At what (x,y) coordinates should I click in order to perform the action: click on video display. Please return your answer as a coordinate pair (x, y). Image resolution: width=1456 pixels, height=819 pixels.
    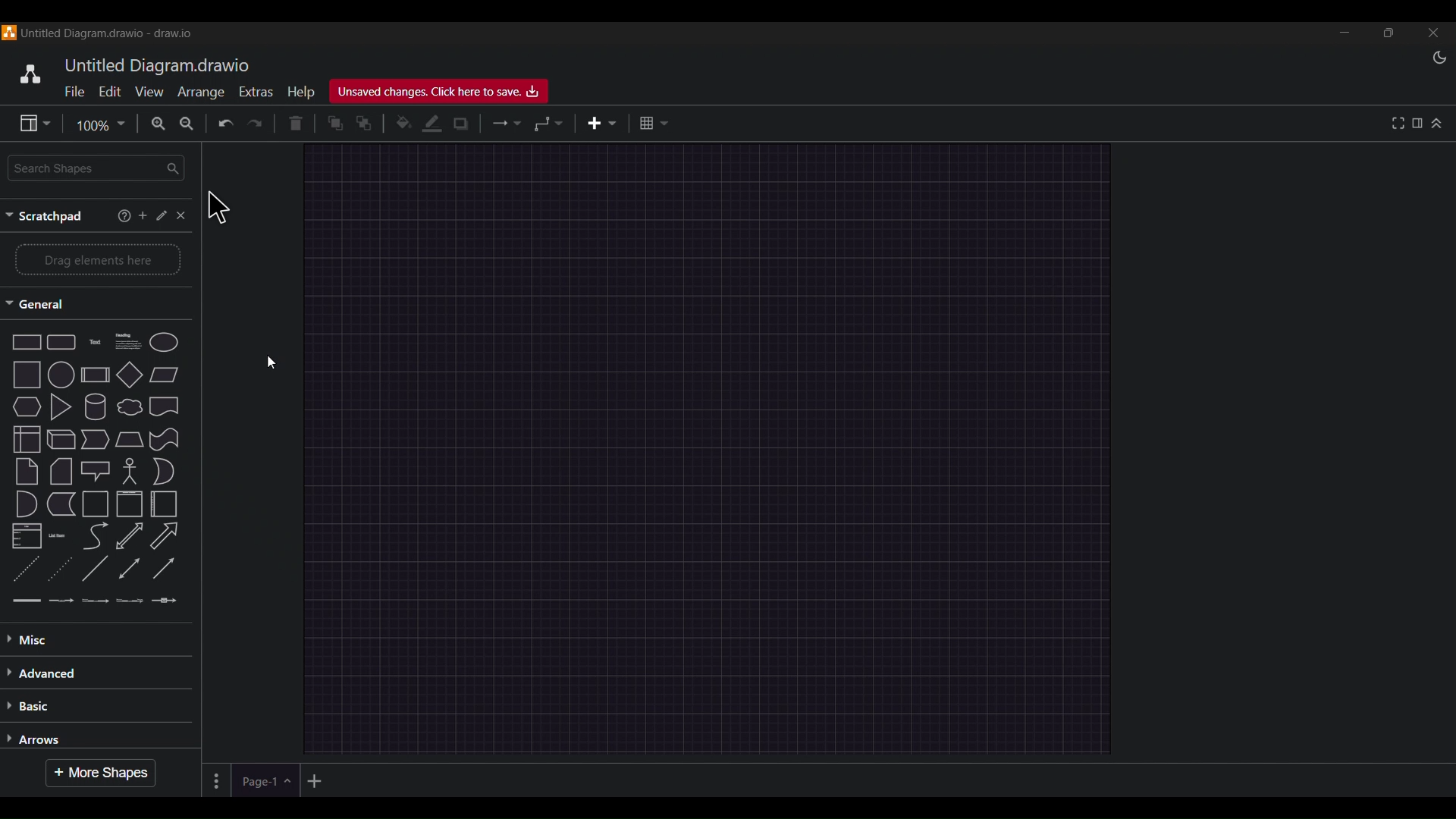
    Looking at the image, I should click on (722, 410).